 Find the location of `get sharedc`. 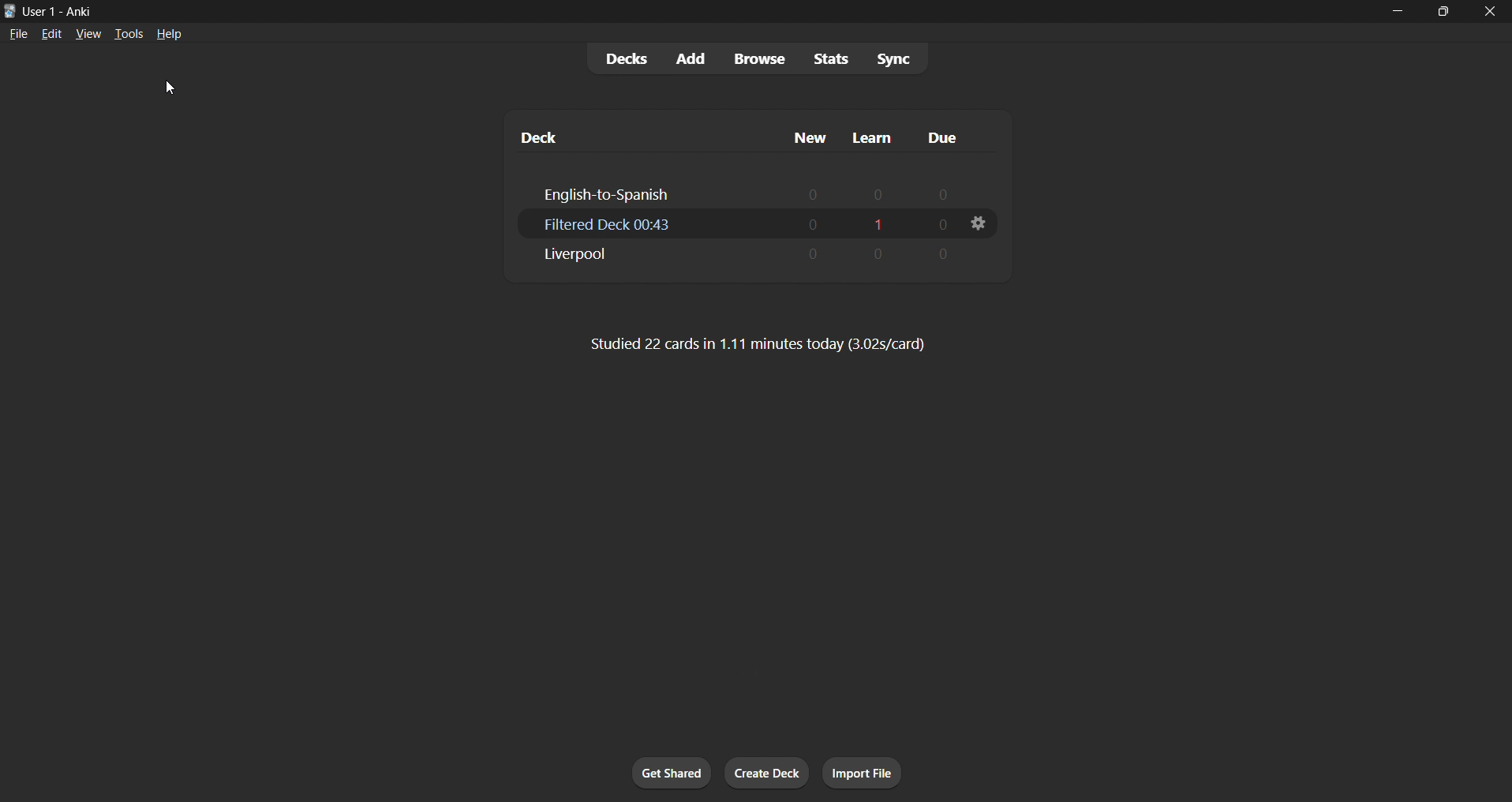

get sharedc is located at coordinates (669, 770).